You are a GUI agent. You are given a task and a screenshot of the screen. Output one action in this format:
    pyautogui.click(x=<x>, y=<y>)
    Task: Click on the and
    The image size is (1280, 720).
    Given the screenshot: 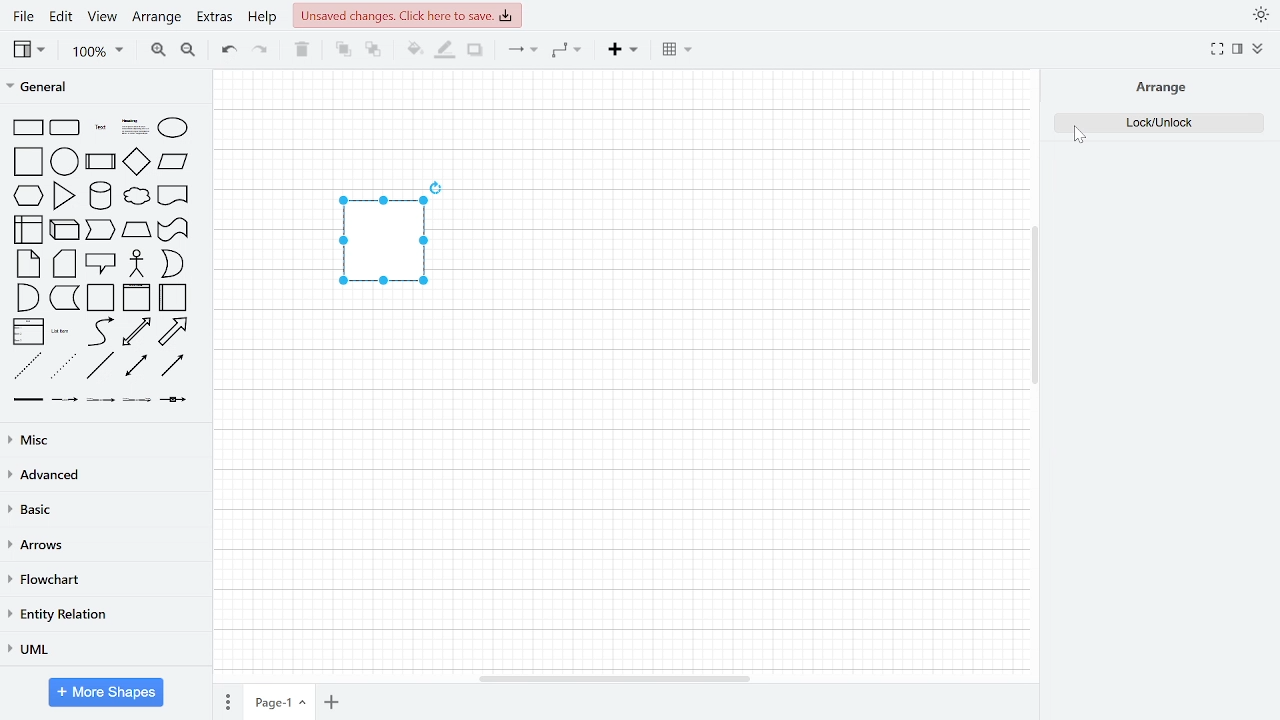 What is the action you would take?
    pyautogui.click(x=27, y=297)
    